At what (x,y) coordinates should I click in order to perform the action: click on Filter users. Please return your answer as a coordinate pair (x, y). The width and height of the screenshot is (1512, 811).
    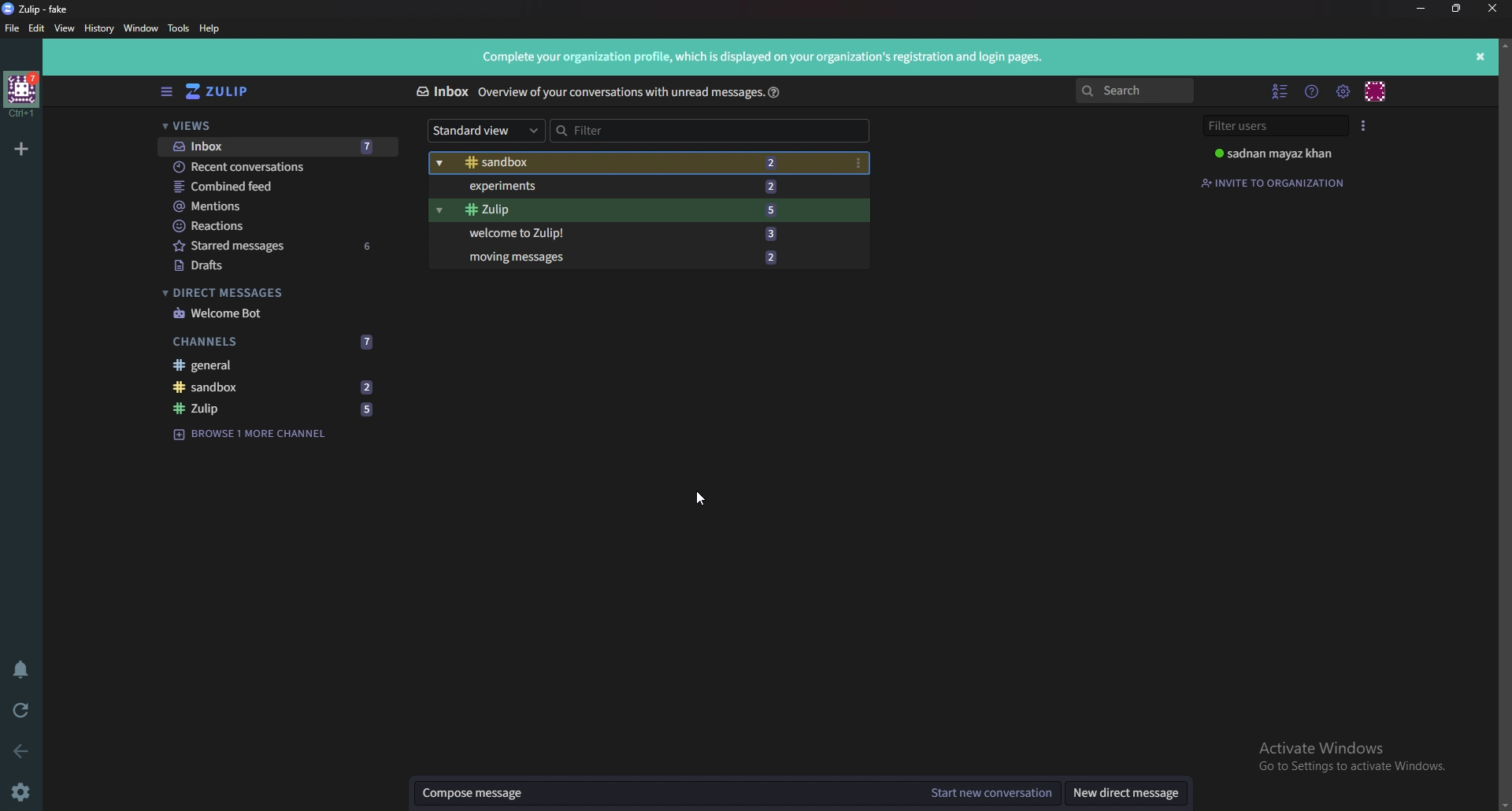
    Looking at the image, I should click on (1277, 127).